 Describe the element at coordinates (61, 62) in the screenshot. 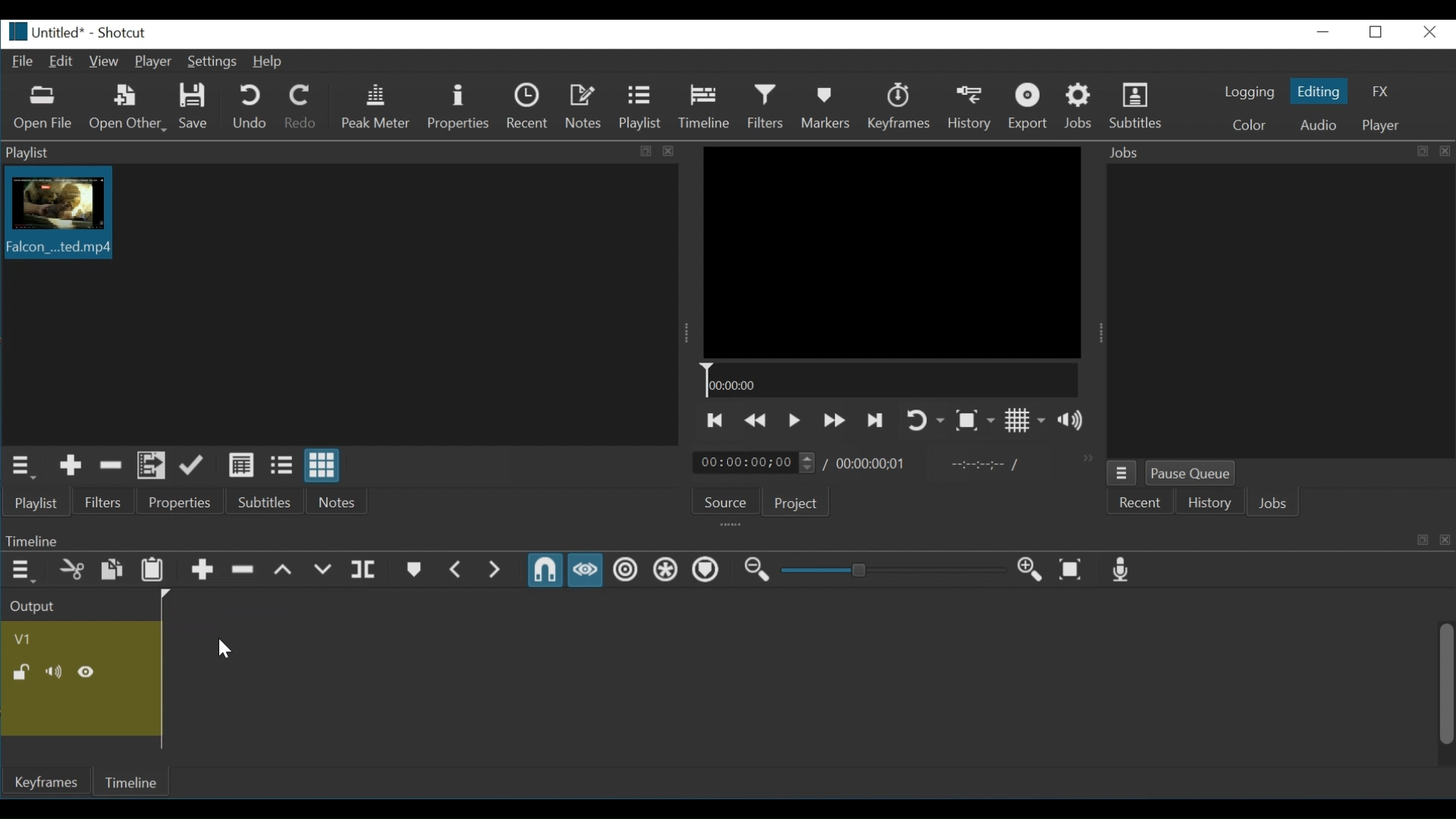

I see `Edit` at that location.